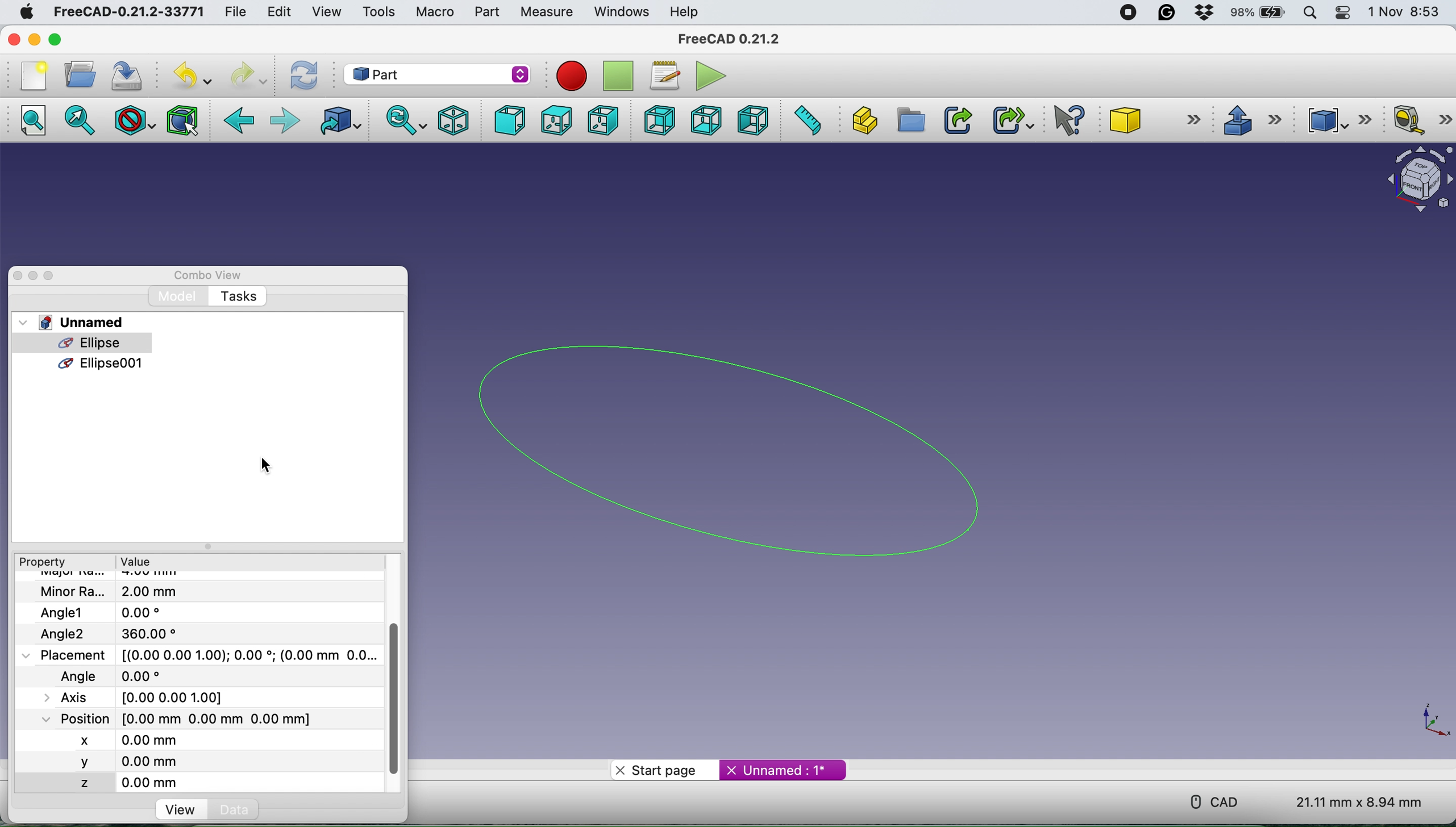  I want to click on model, so click(181, 297).